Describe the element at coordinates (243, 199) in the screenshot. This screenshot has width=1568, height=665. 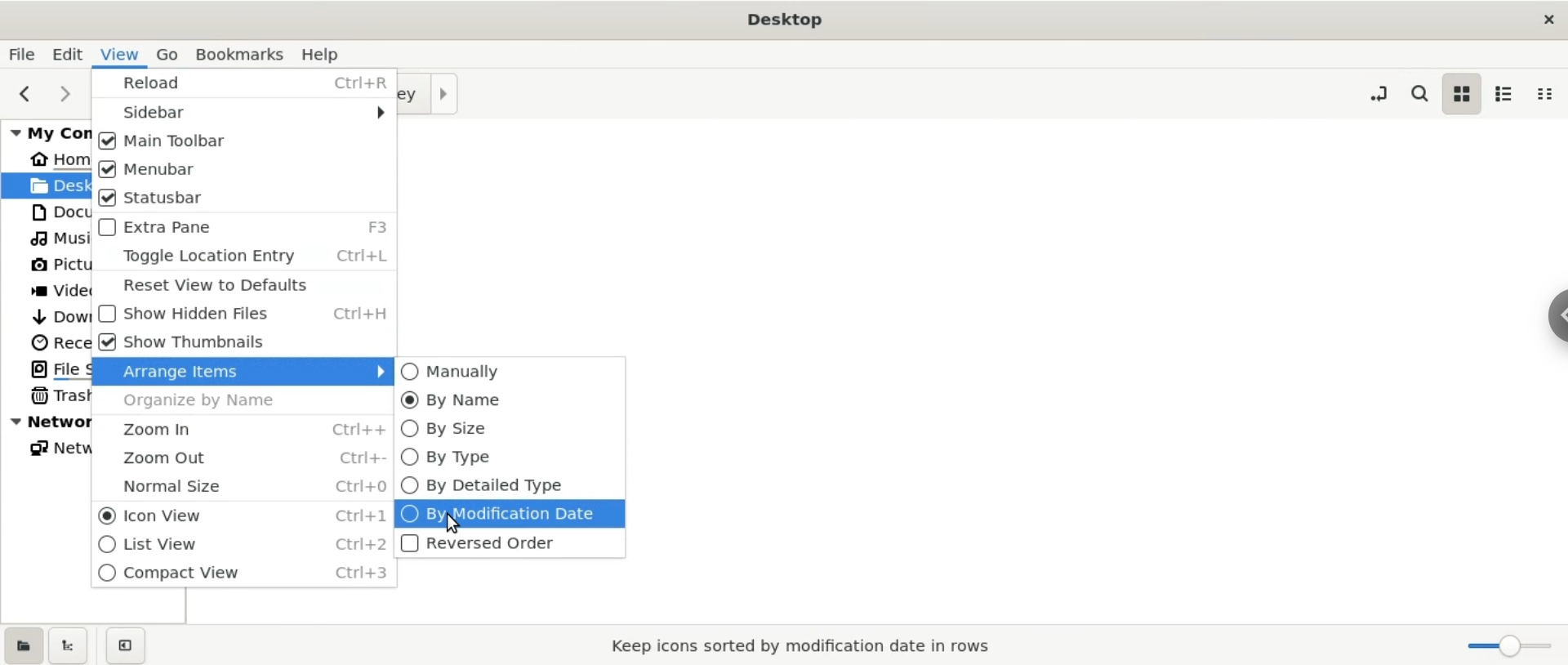
I see `status bar` at that location.